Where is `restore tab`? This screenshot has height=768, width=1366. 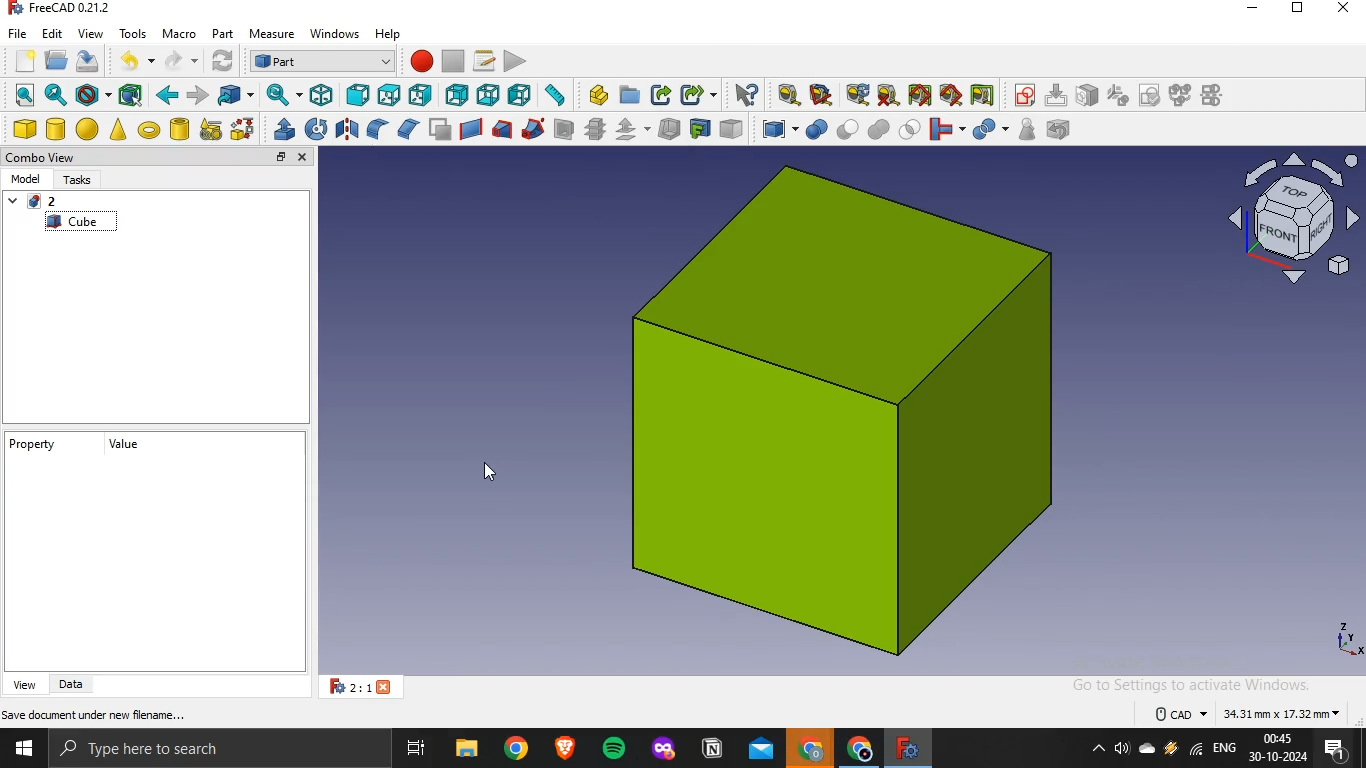 restore tab is located at coordinates (282, 156).